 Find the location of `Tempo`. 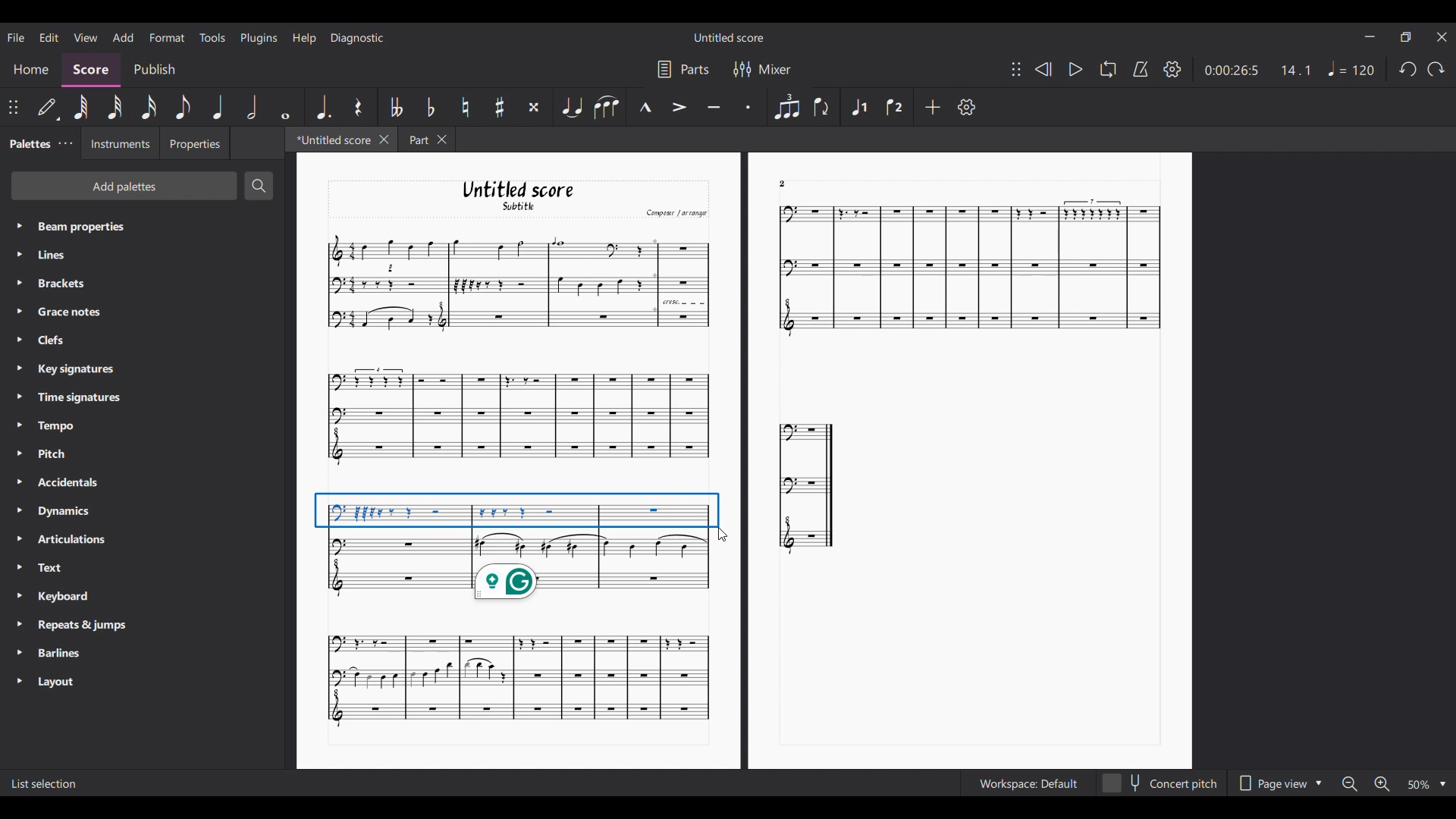

Tempo is located at coordinates (1352, 68).